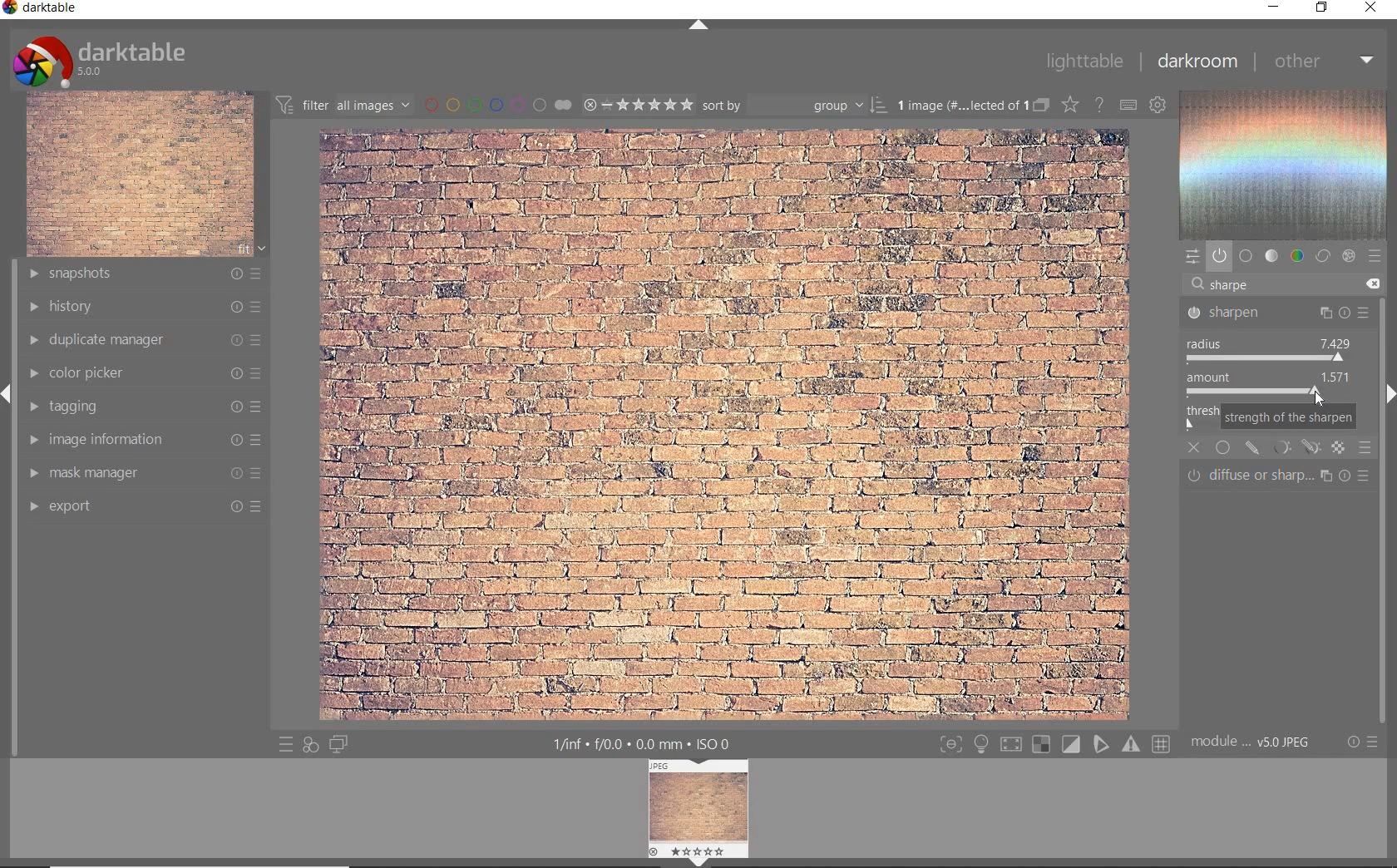  I want to click on base, so click(1246, 256).